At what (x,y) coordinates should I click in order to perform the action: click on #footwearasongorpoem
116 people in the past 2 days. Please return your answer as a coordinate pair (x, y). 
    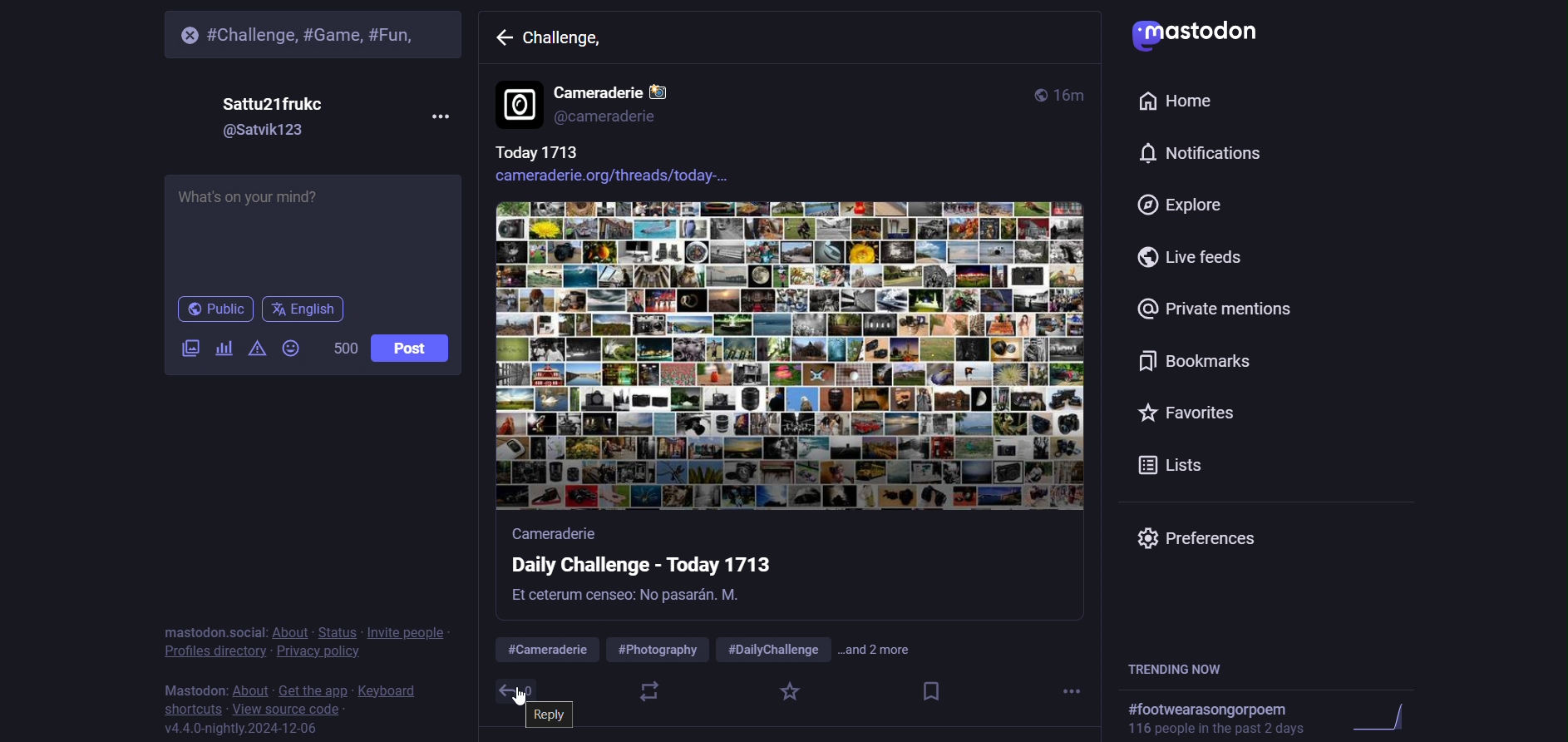
    Looking at the image, I should click on (1273, 716).